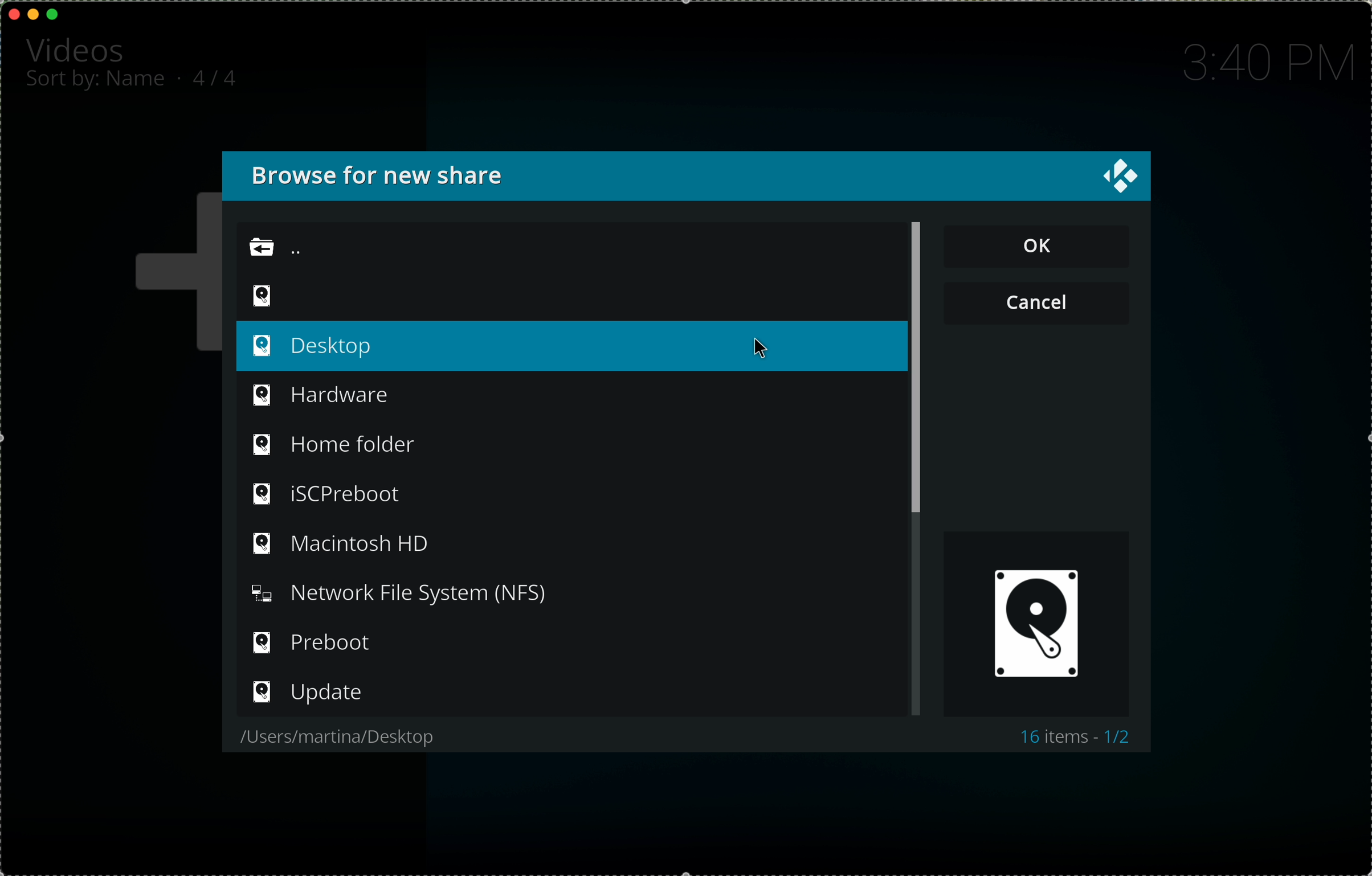 The height and width of the screenshot is (876, 1372). Describe the element at coordinates (338, 446) in the screenshot. I see `home folder` at that location.